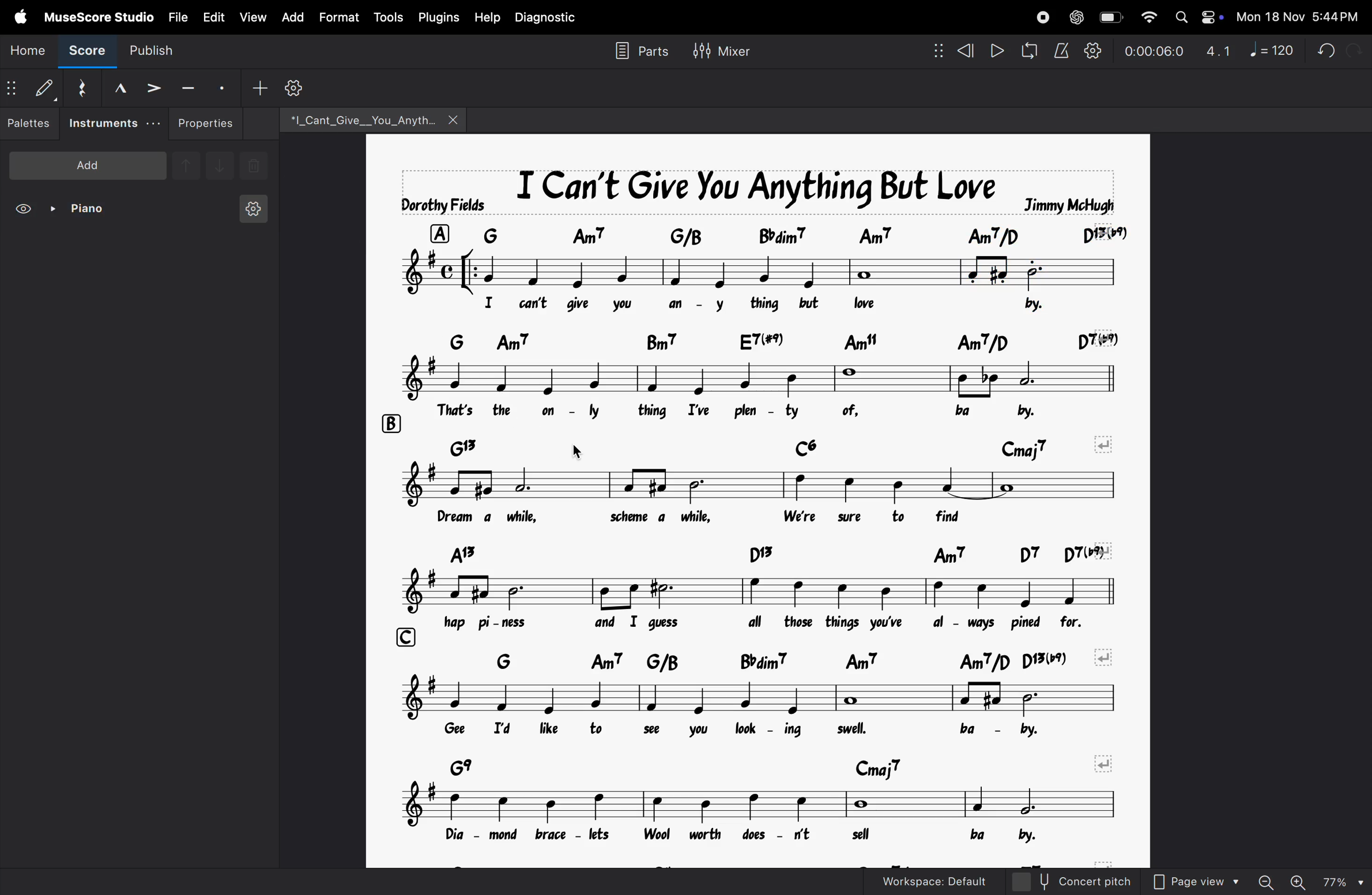 This screenshot has height=895, width=1372. I want to click on notes, so click(755, 699).